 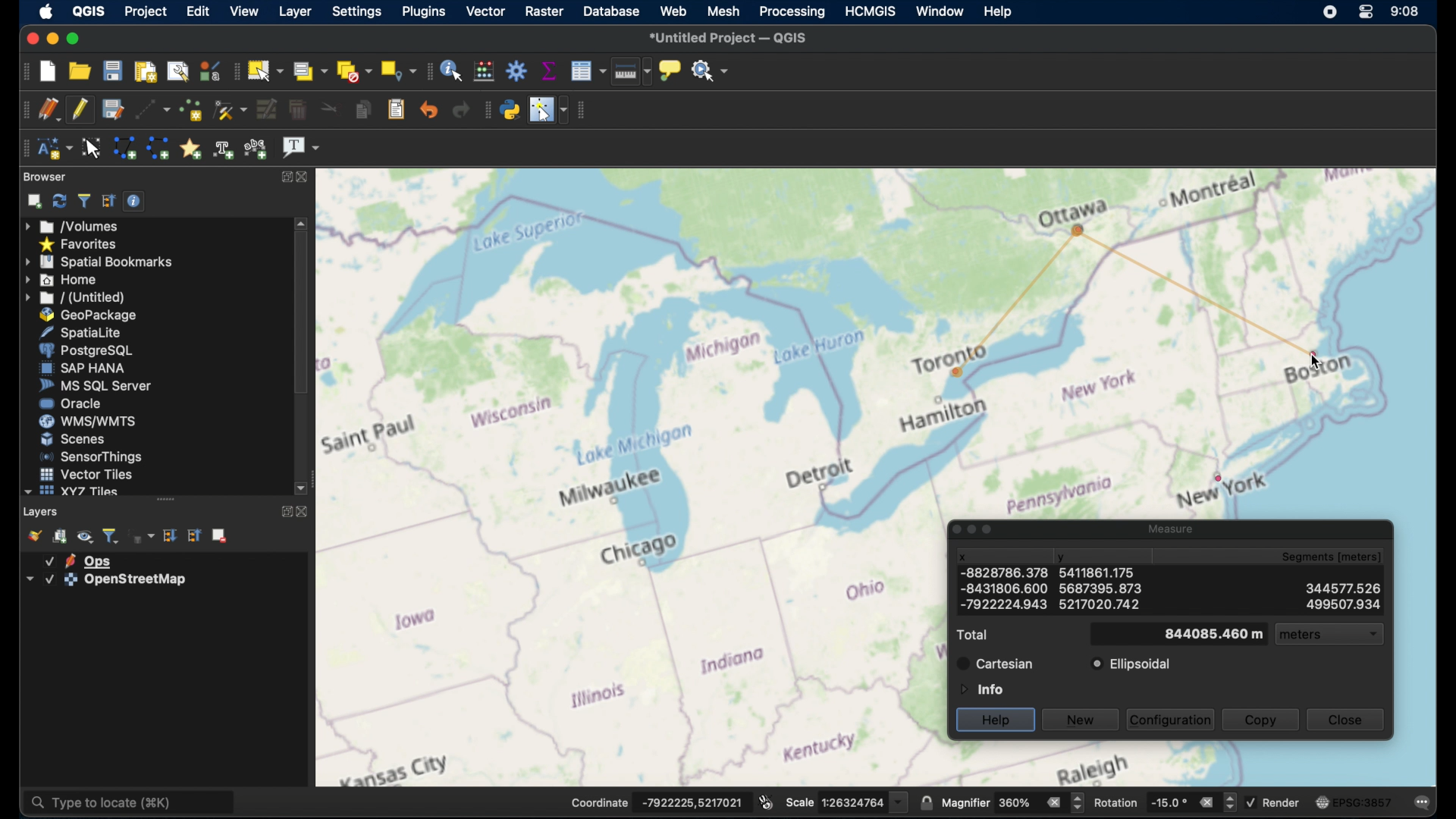 What do you see at coordinates (1329, 12) in the screenshot?
I see `screen recorder icon` at bounding box center [1329, 12].